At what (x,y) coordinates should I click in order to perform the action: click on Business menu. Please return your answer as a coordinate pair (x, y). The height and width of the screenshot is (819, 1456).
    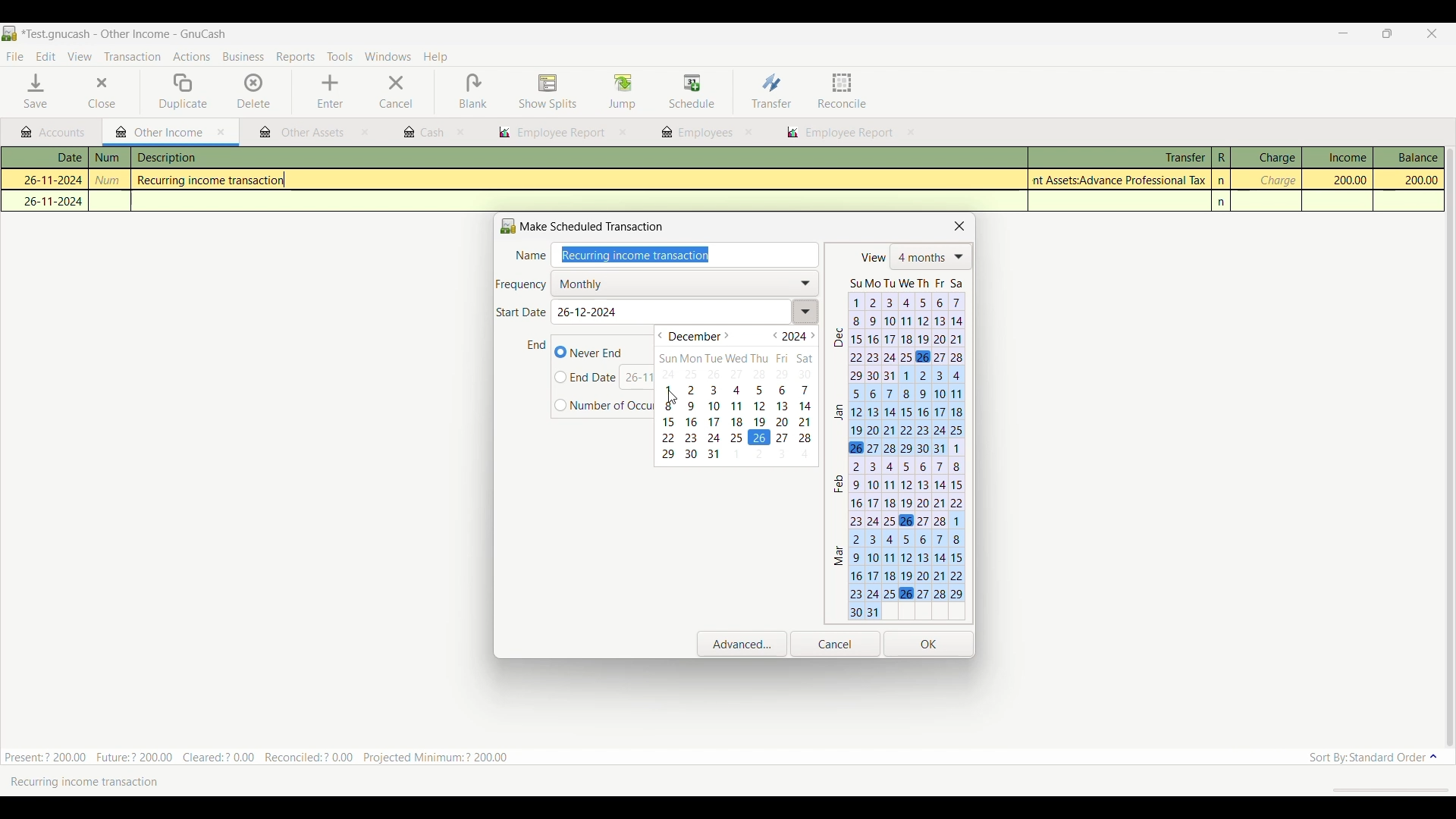
    Looking at the image, I should click on (243, 58).